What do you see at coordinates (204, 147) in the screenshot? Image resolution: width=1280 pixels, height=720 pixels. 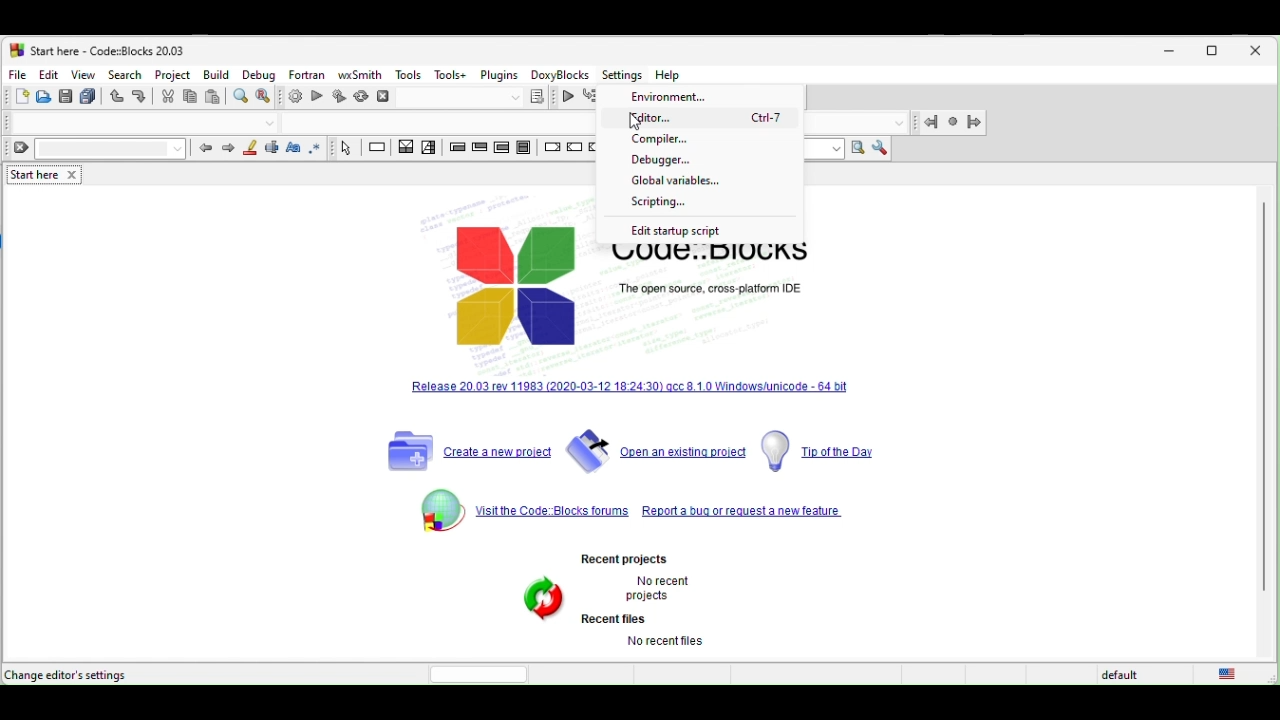 I see `prev` at bounding box center [204, 147].